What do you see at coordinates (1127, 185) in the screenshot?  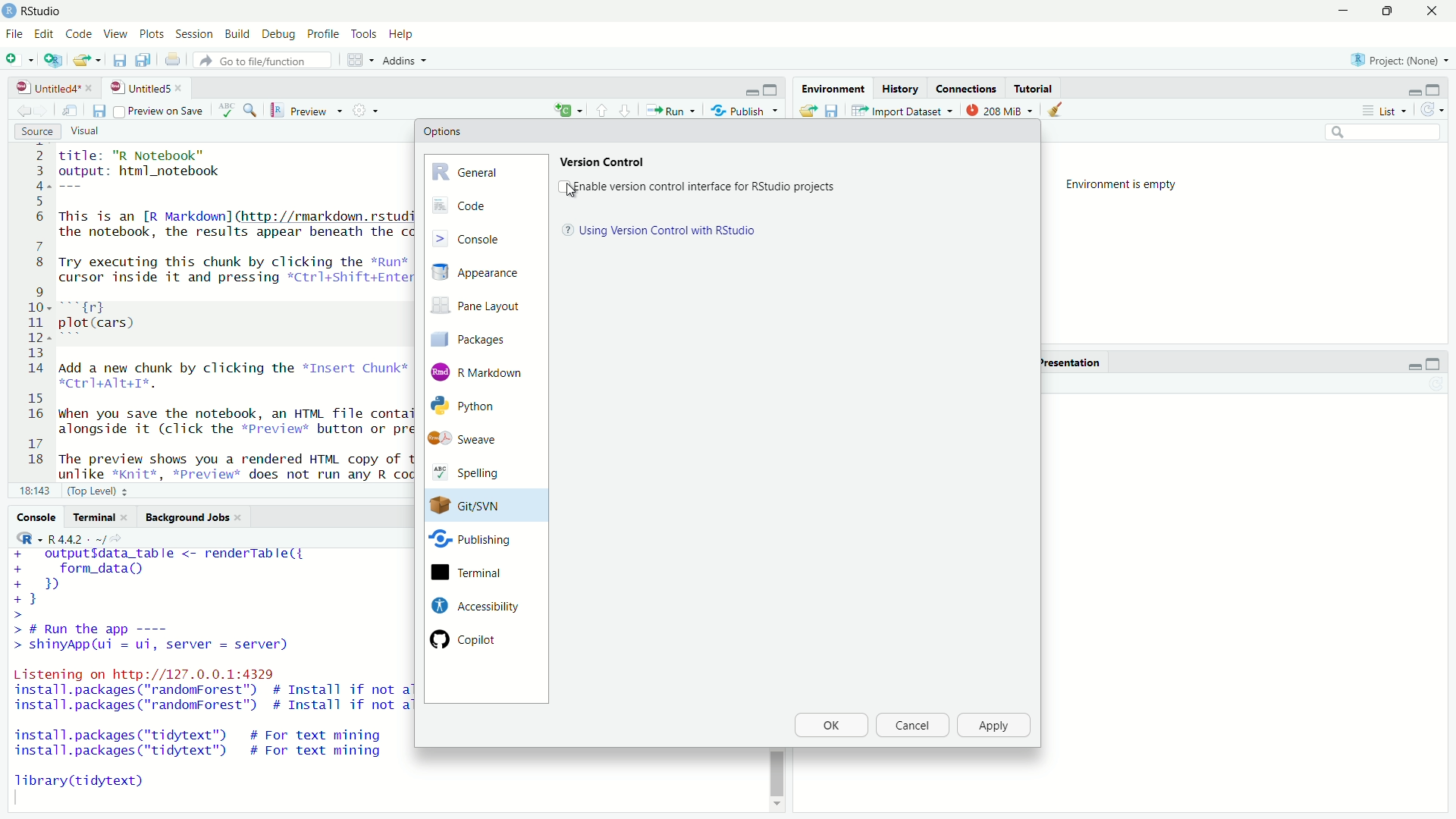 I see `Environment is empty` at bounding box center [1127, 185].